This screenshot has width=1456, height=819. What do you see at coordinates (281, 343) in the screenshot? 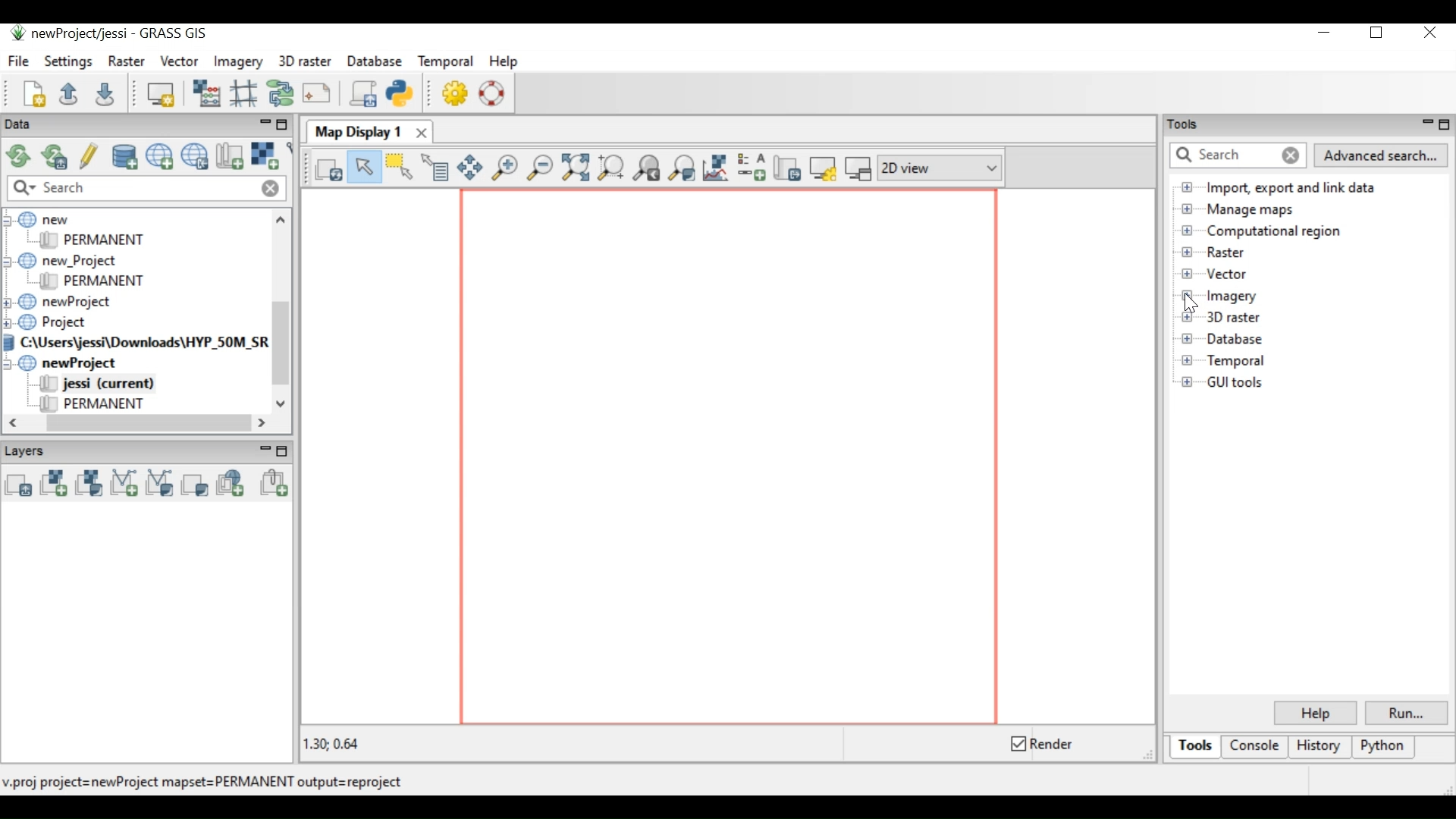
I see `Vertical Scroll bar ` at bounding box center [281, 343].